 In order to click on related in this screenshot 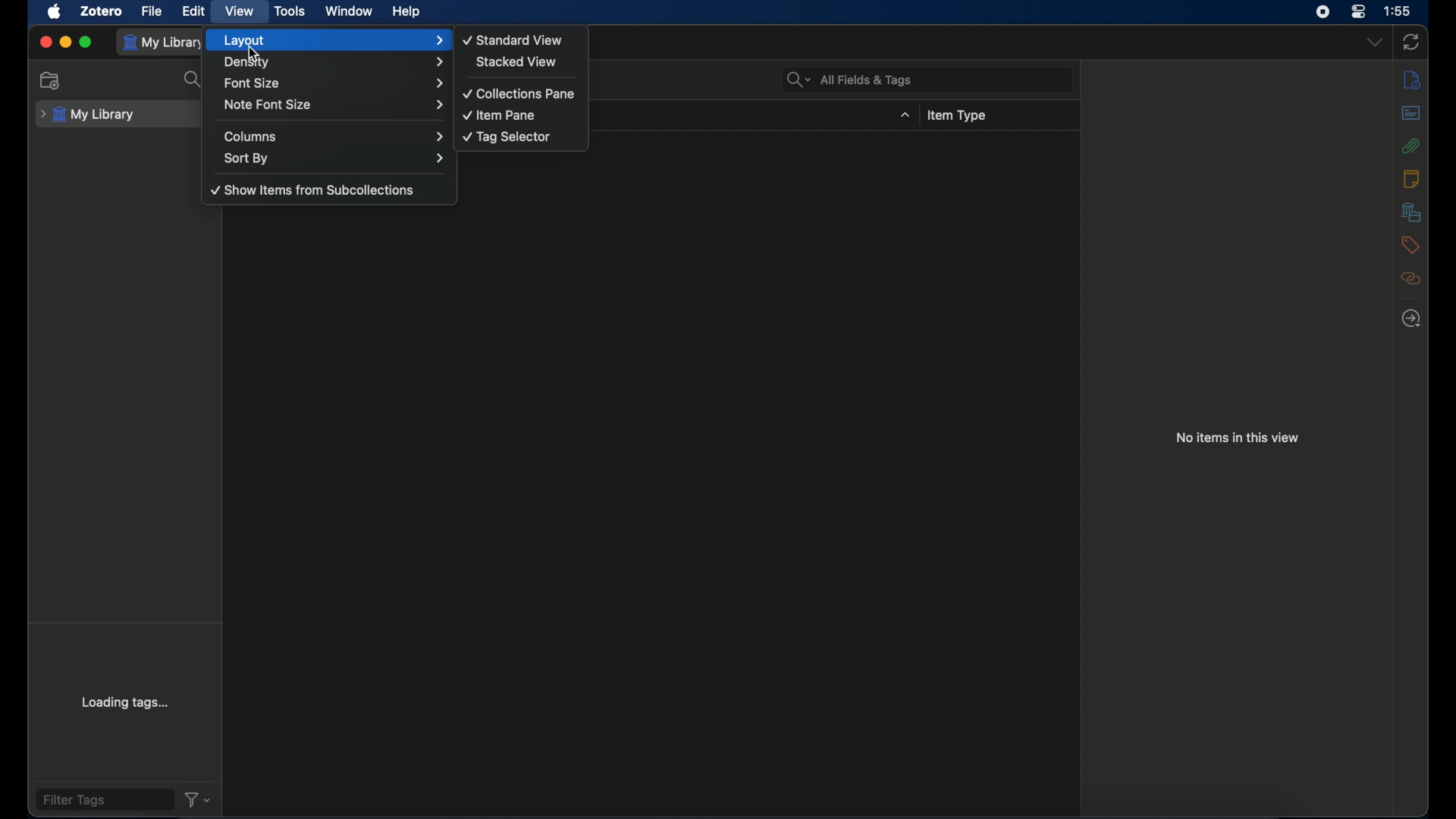, I will do `click(1410, 278)`.